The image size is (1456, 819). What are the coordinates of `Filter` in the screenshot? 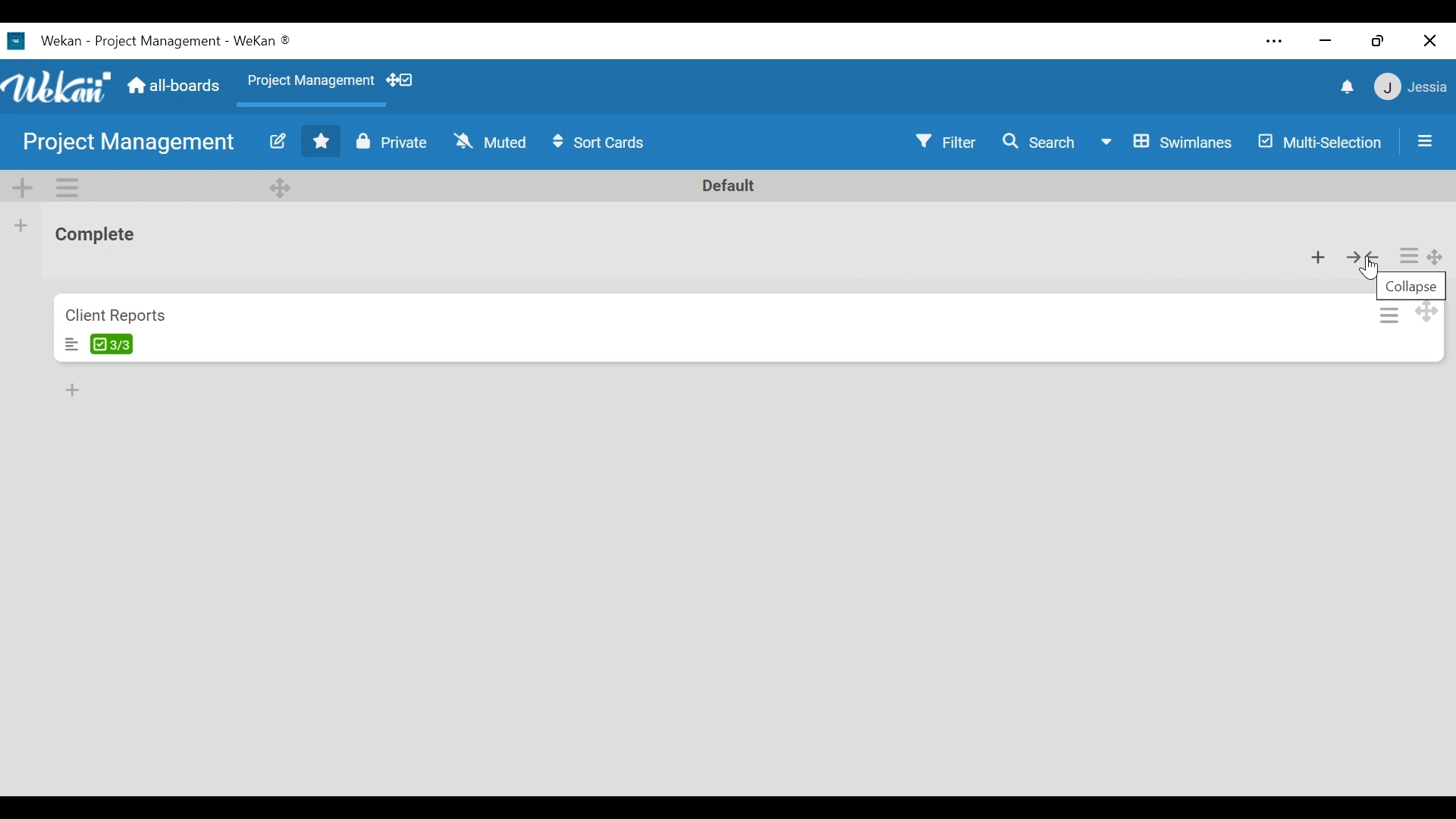 It's located at (947, 142).